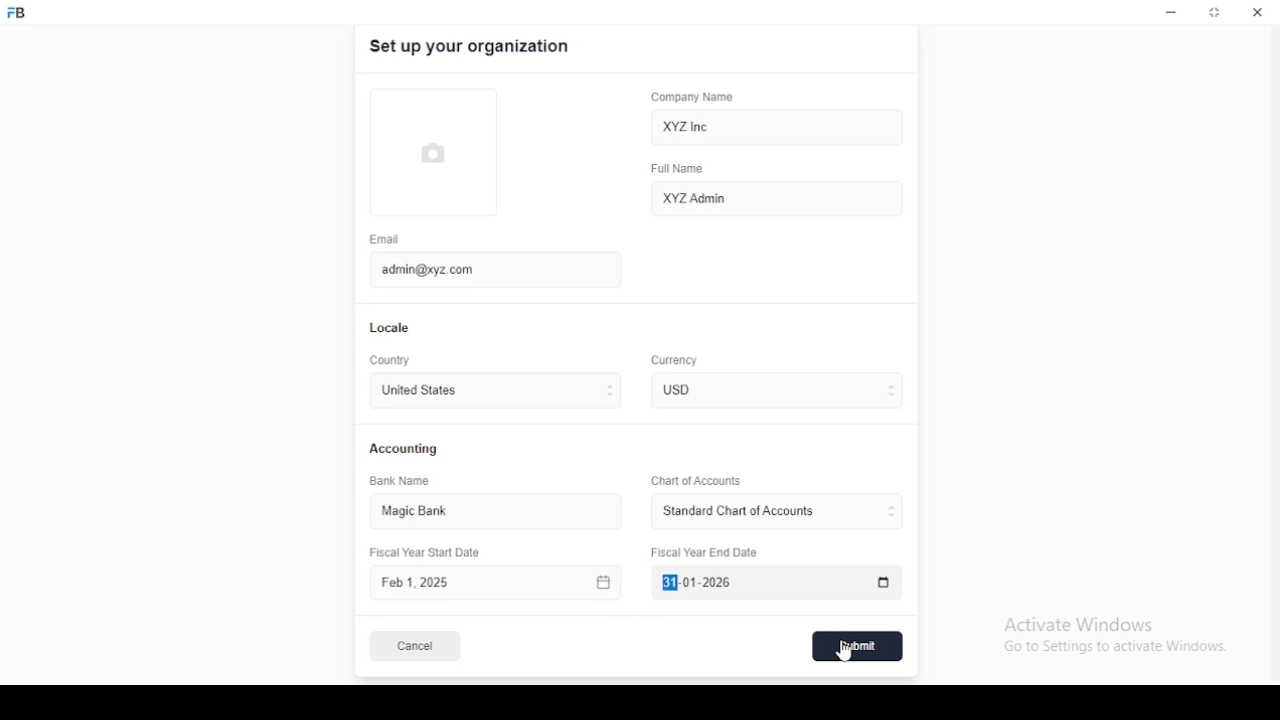 The width and height of the screenshot is (1280, 720). I want to click on Fiscal Year End Date, so click(771, 583).